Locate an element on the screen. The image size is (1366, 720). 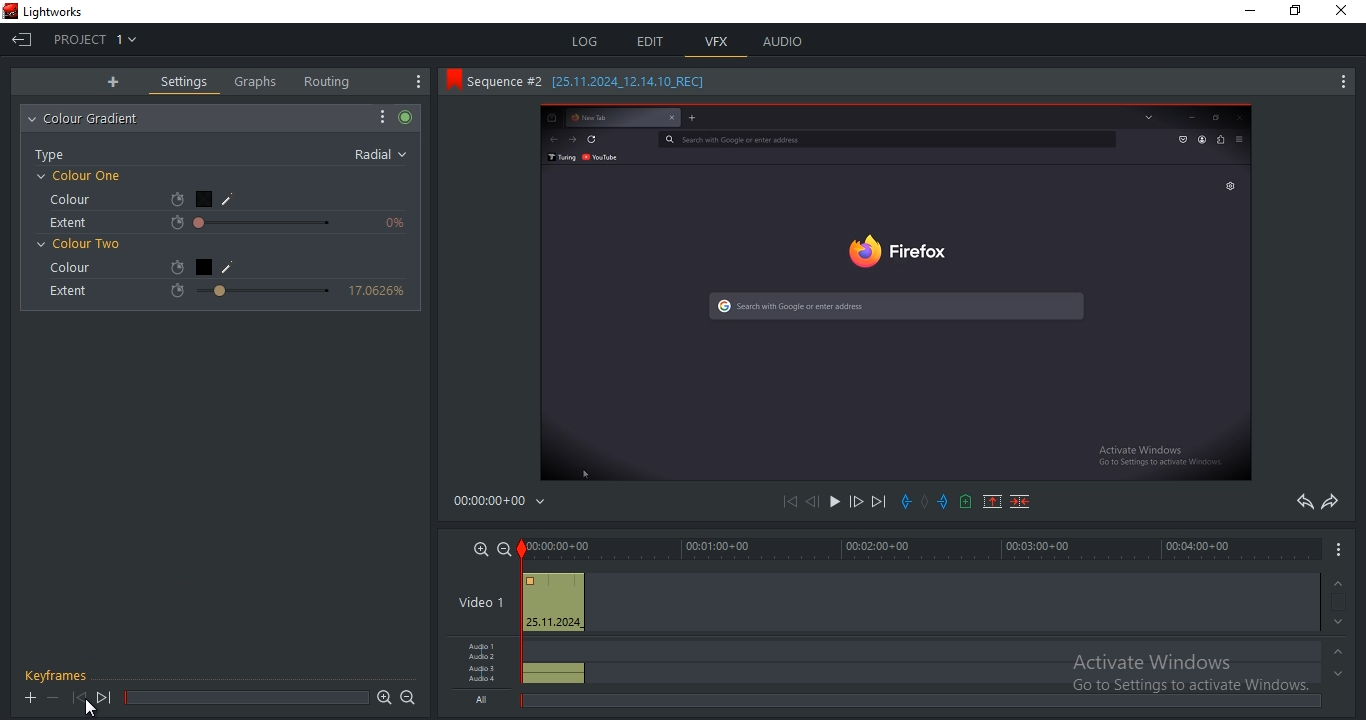
Audio 2 is located at coordinates (485, 658).